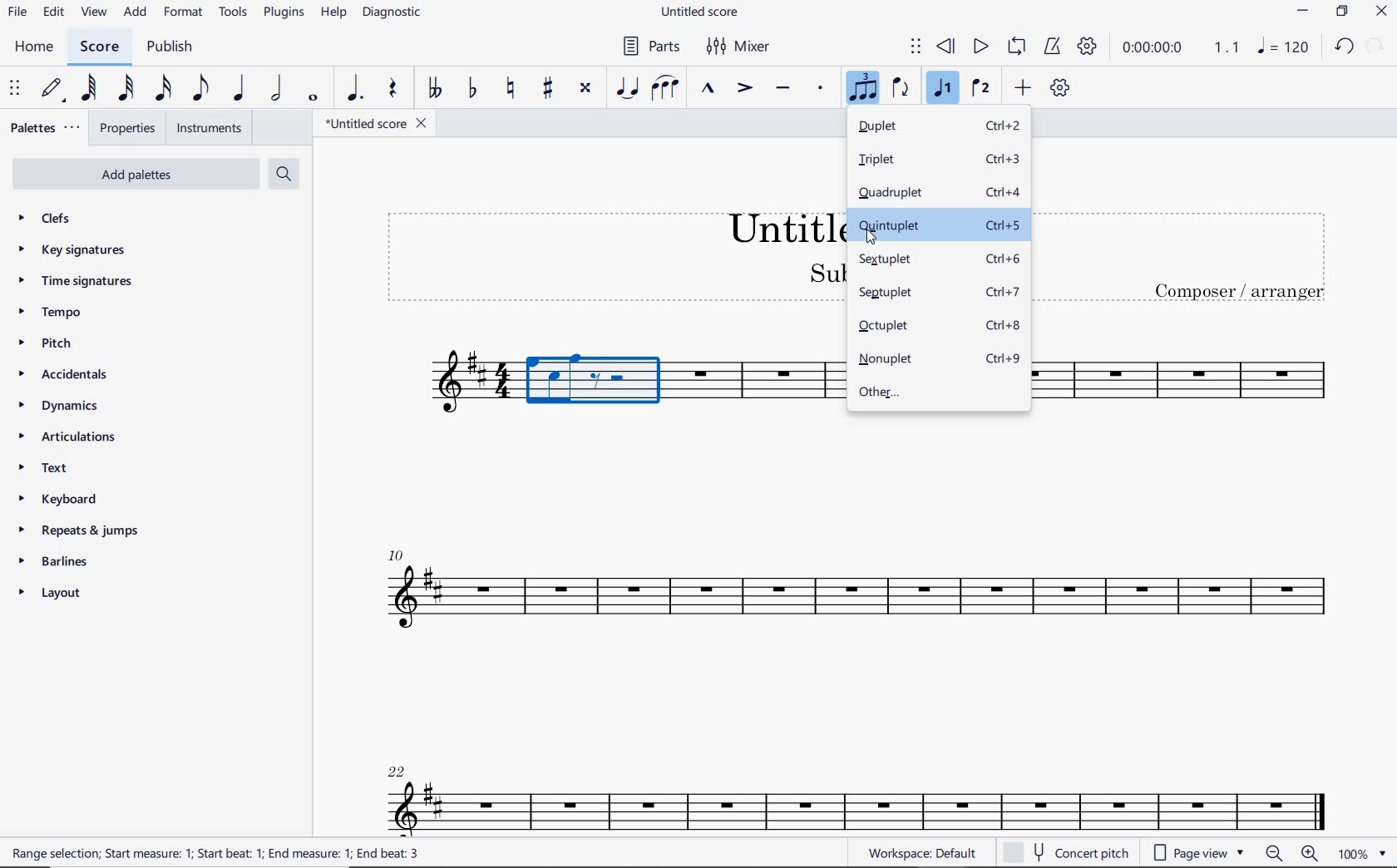 The width and height of the screenshot is (1397, 868). Describe the element at coordinates (237, 89) in the screenshot. I see `QUARTER NOTE` at that location.